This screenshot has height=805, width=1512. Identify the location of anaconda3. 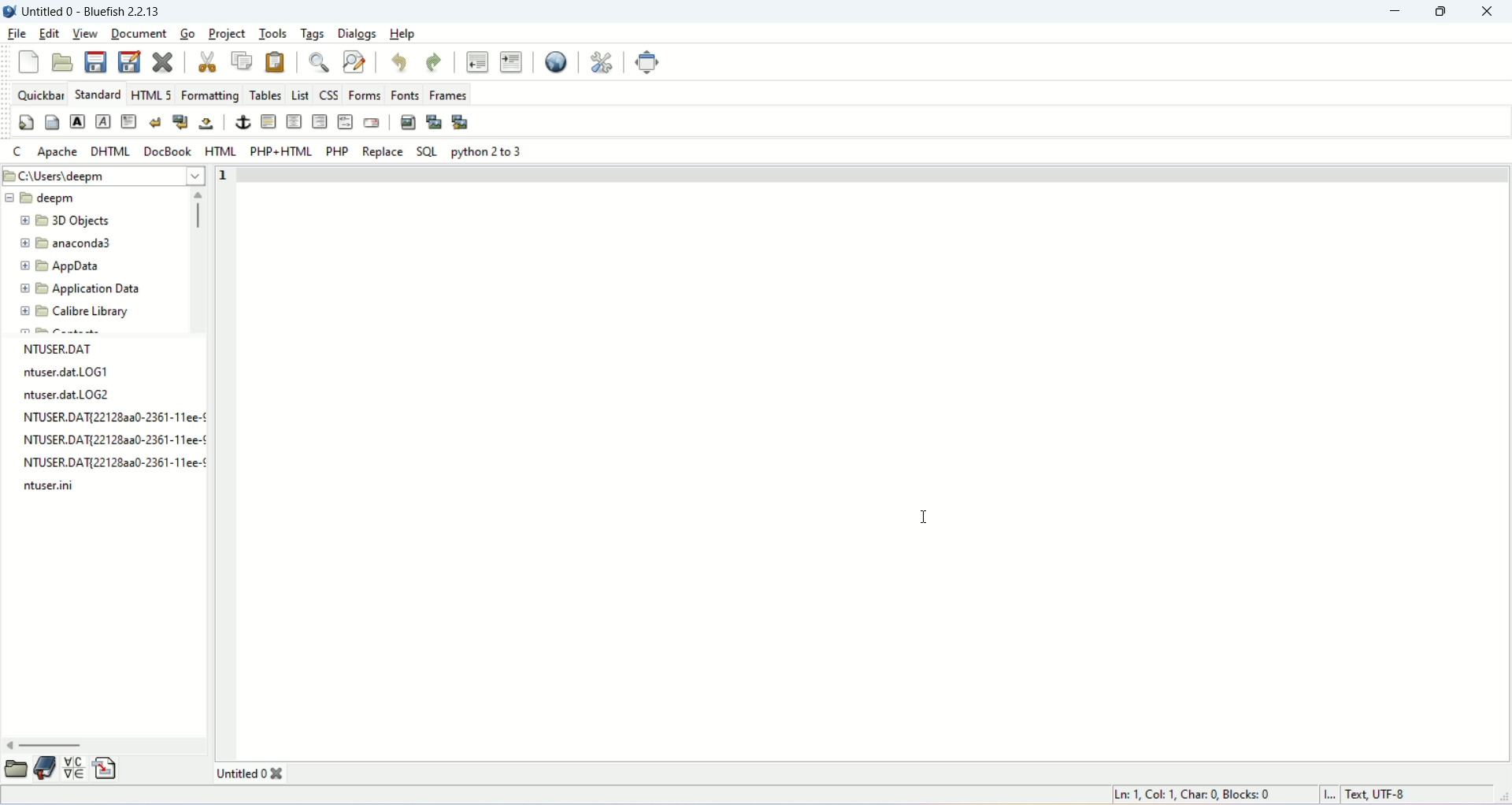
(89, 243).